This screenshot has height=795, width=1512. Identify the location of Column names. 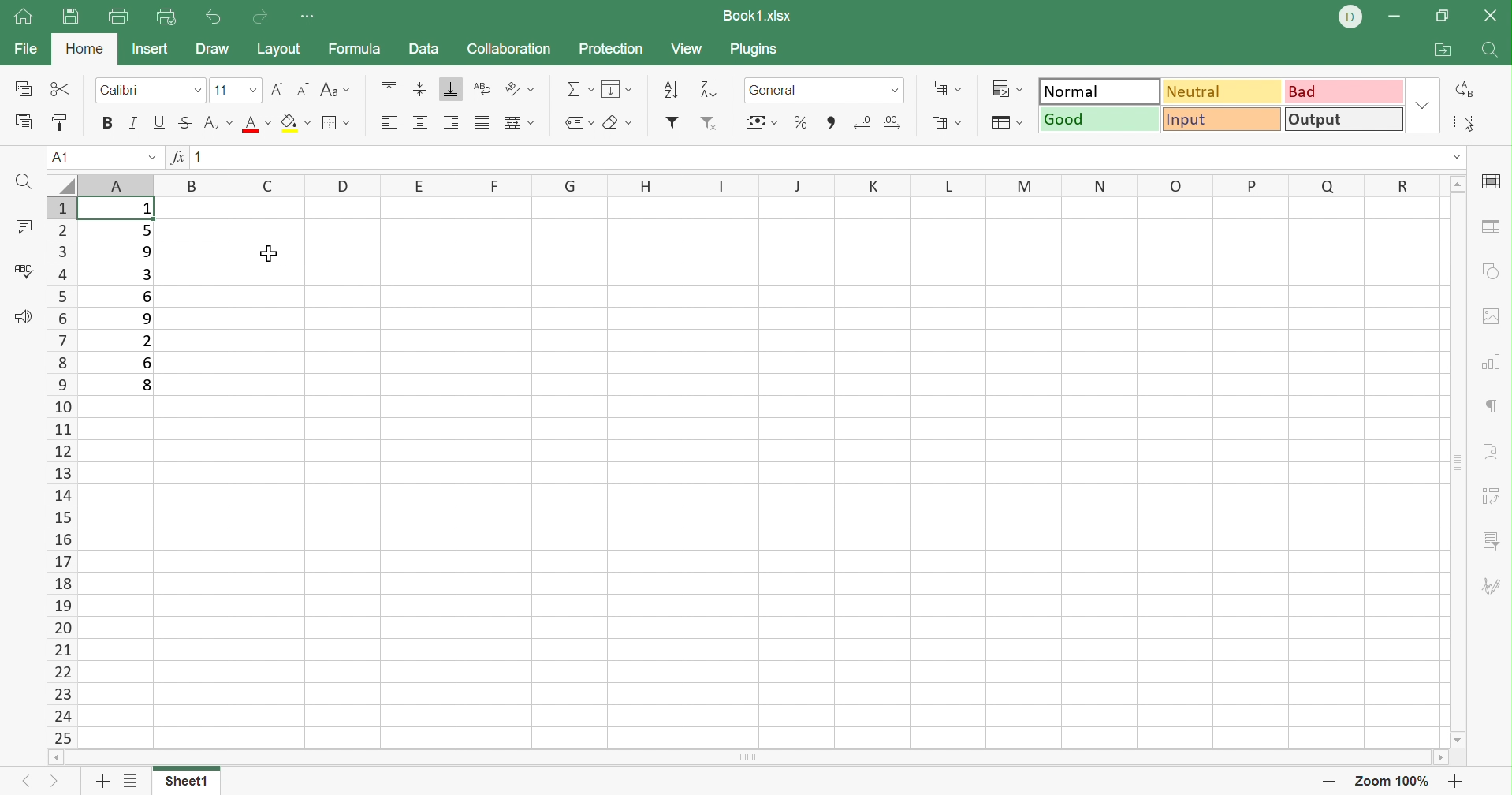
(759, 185).